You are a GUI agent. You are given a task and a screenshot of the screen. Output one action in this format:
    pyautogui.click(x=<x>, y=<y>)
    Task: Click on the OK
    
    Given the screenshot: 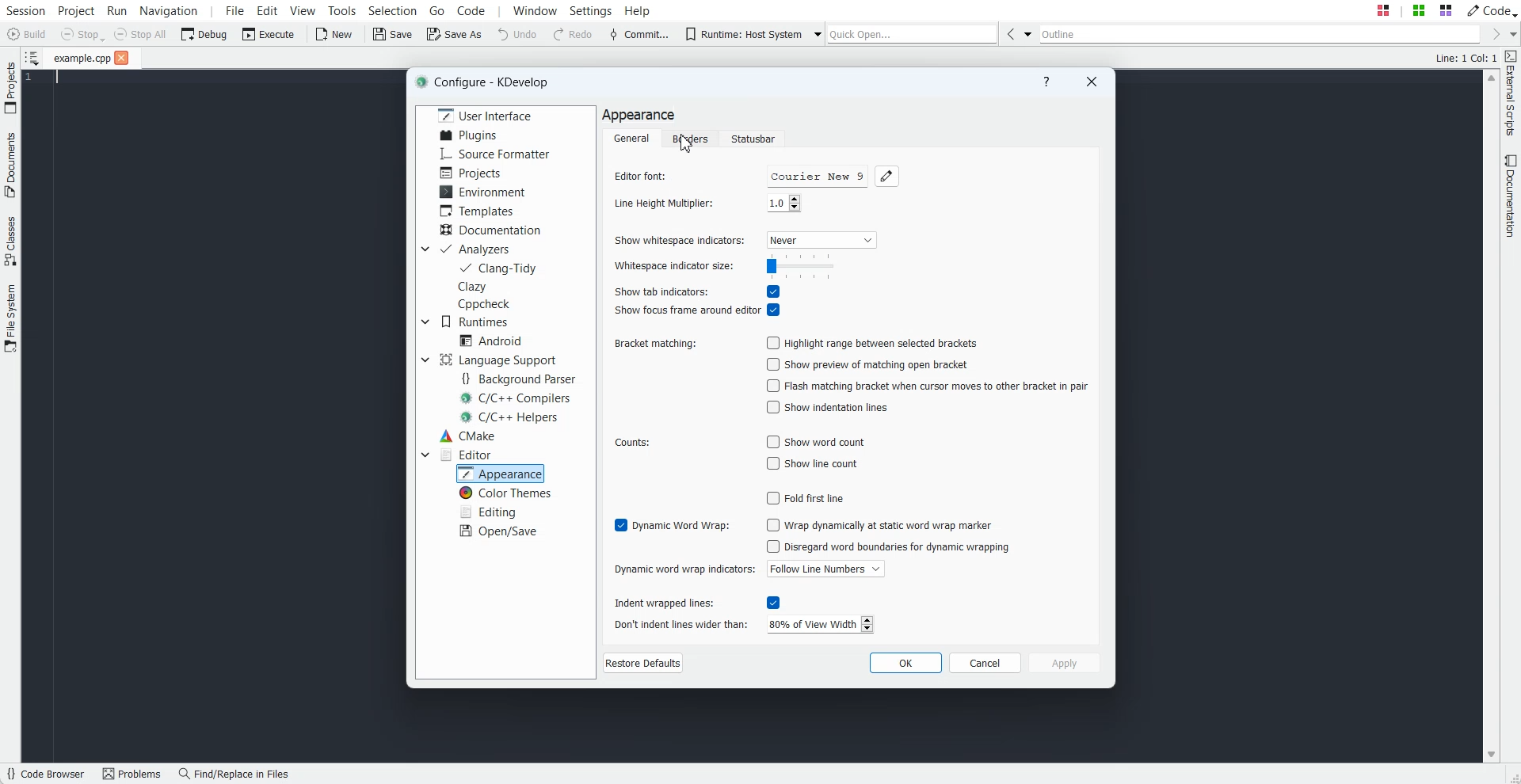 What is the action you would take?
    pyautogui.click(x=906, y=662)
    